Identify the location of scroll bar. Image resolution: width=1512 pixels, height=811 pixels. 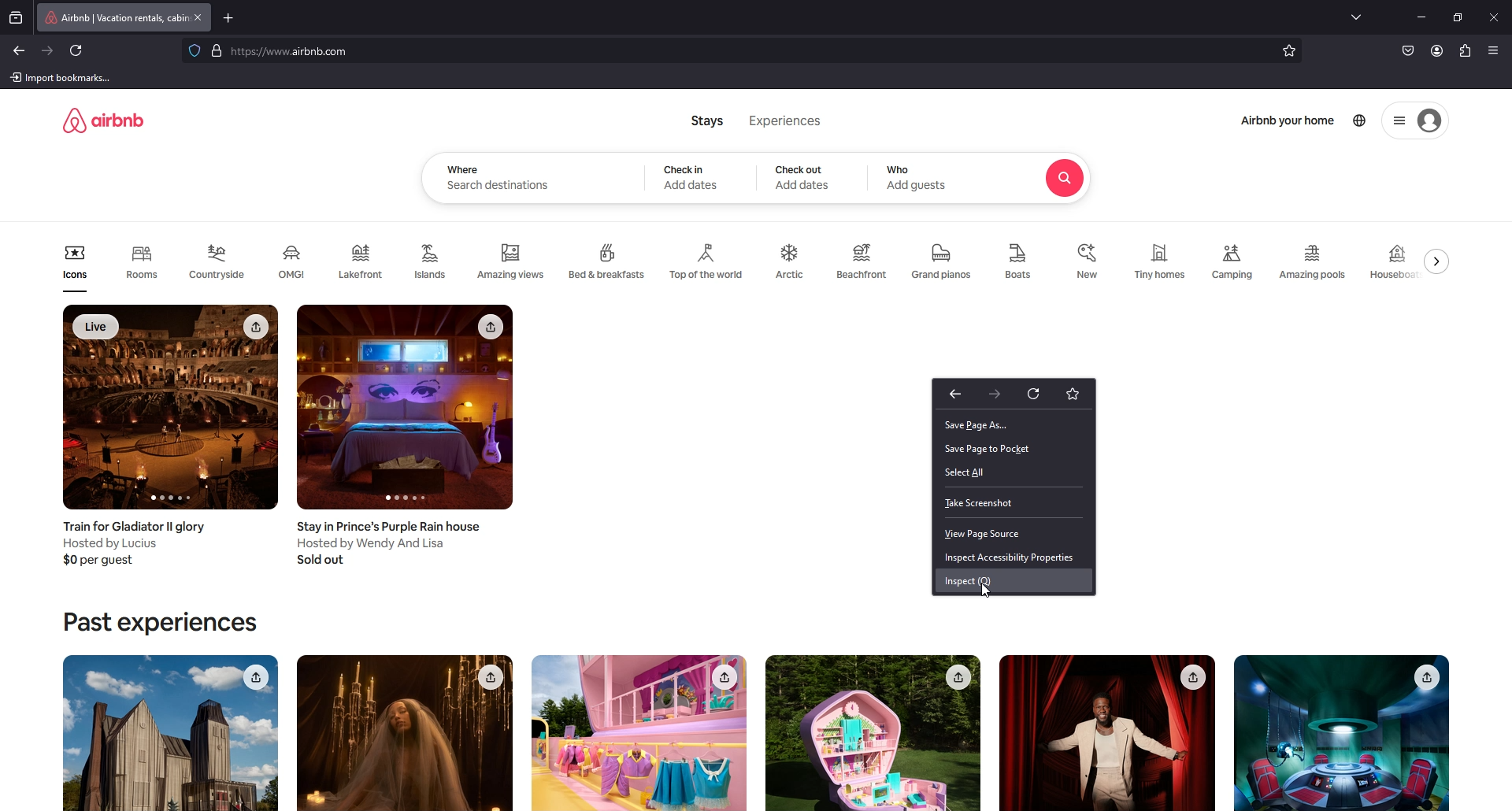
(1503, 180).